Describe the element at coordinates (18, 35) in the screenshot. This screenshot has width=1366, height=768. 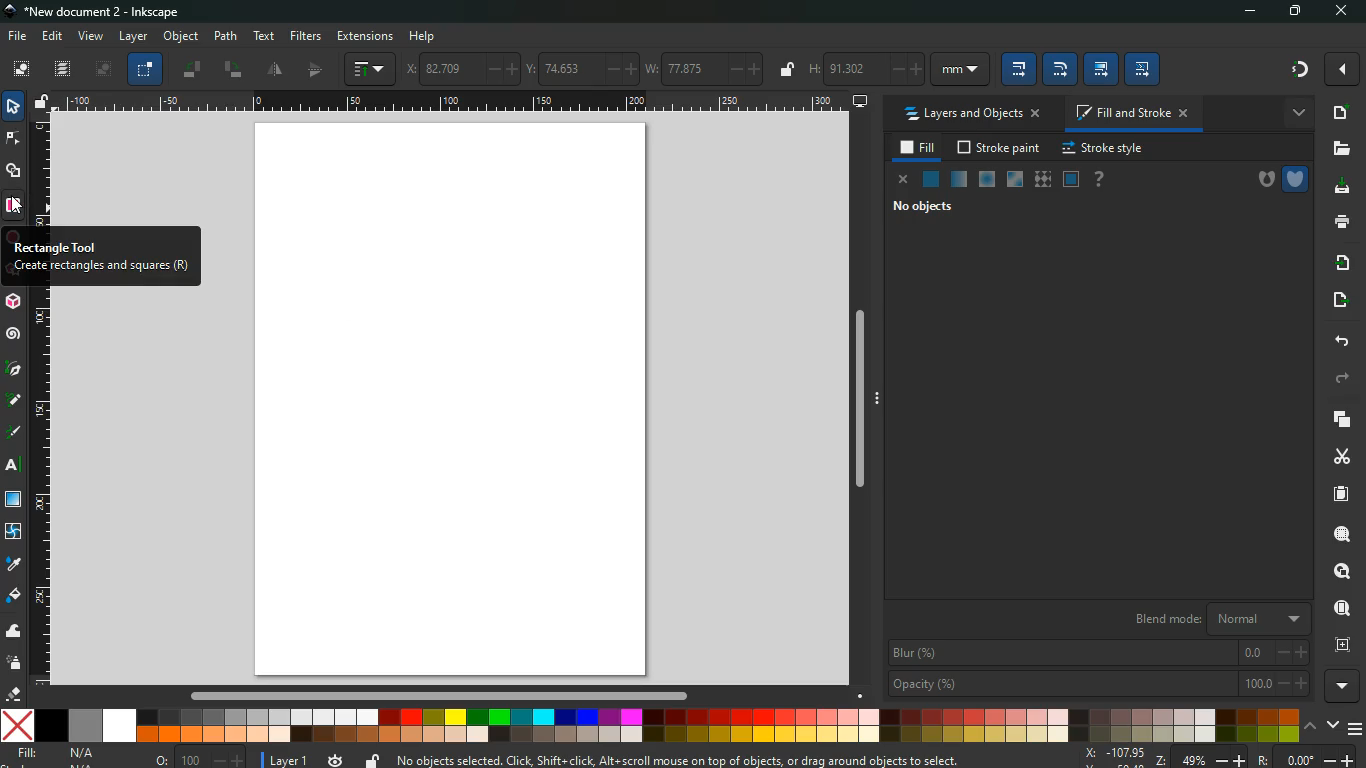
I see `file` at that location.